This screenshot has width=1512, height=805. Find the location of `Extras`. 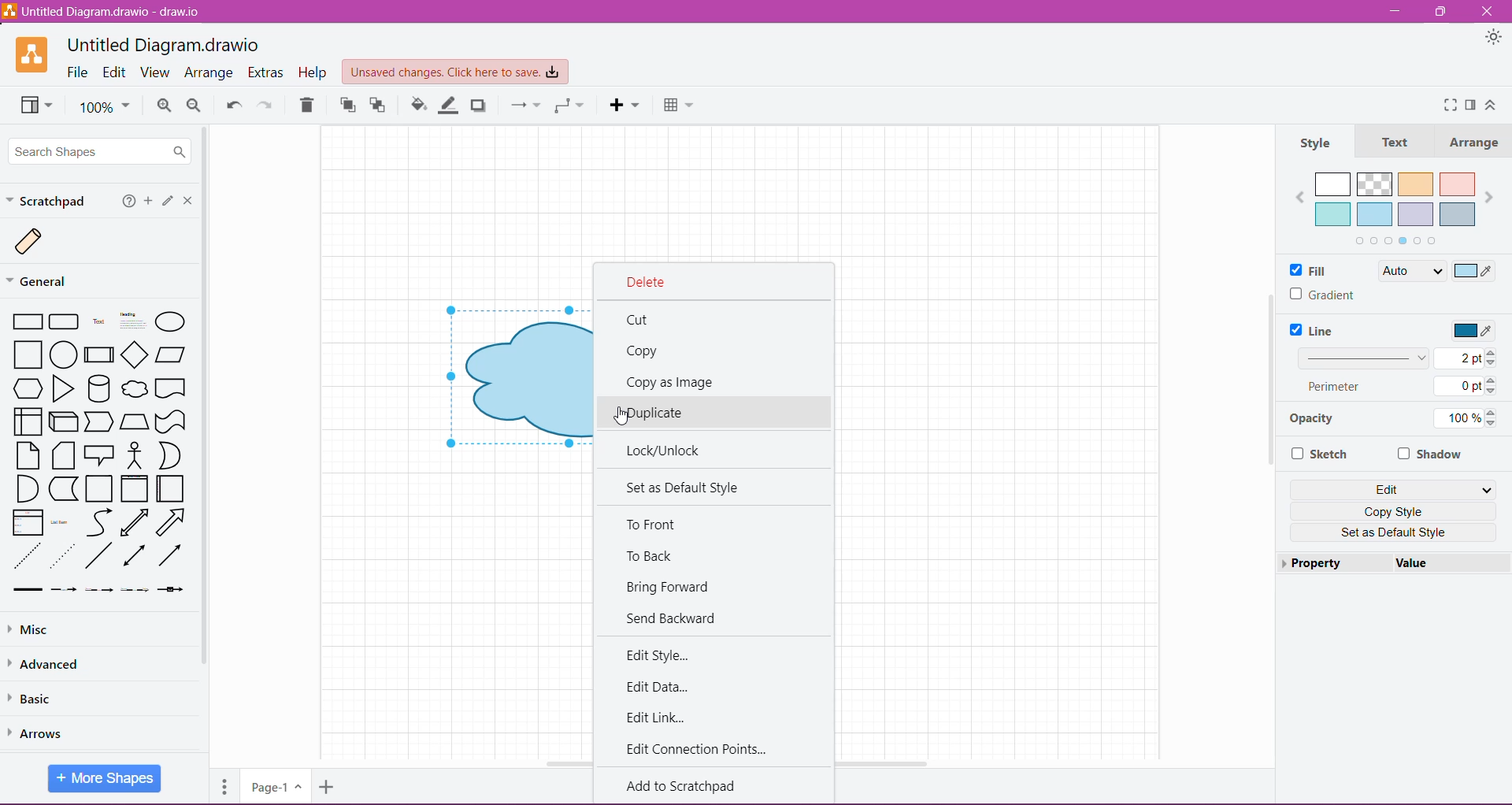

Extras is located at coordinates (267, 72).